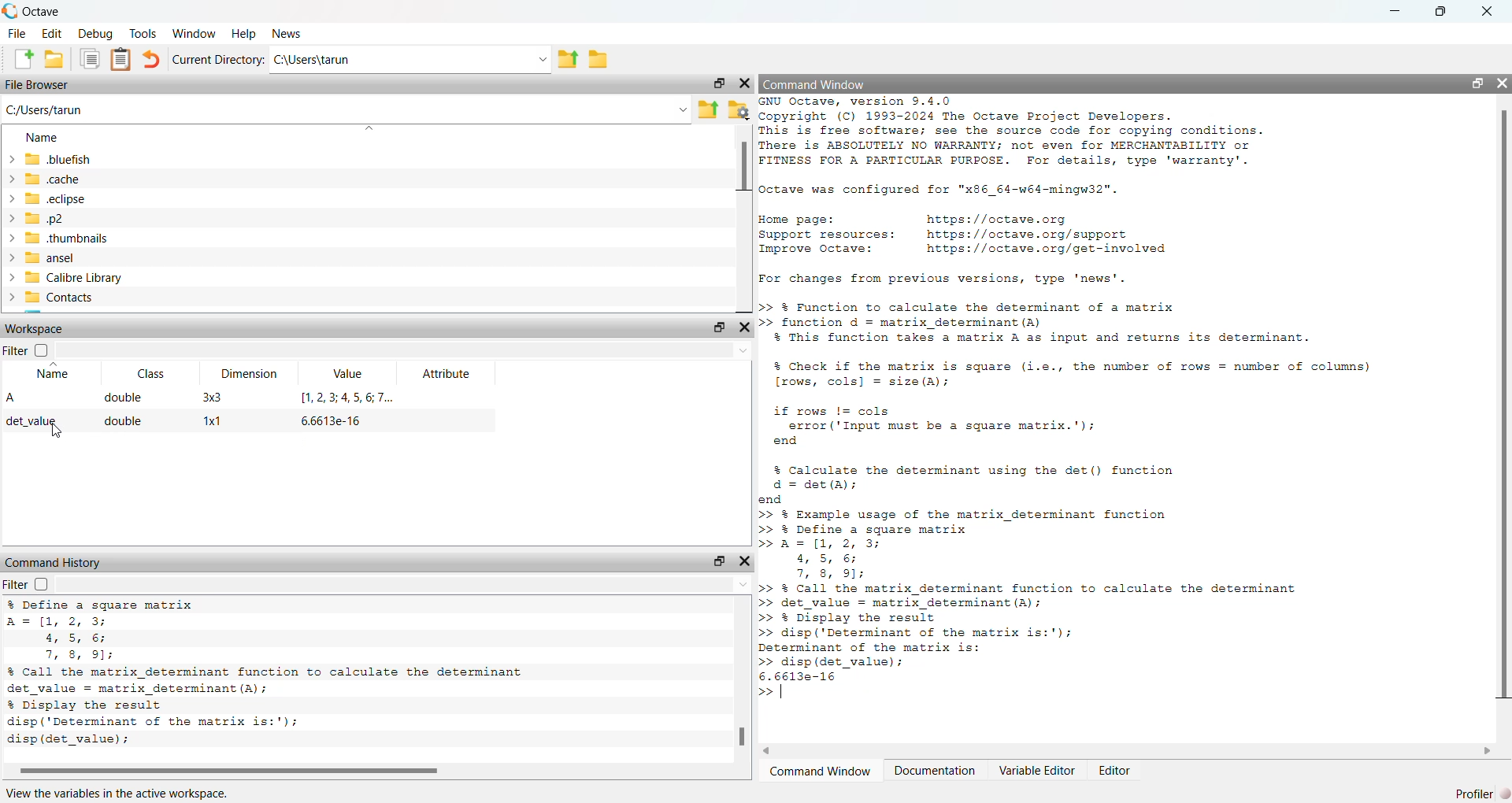  Describe the element at coordinates (16, 350) in the screenshot. I see `filter` at that location.